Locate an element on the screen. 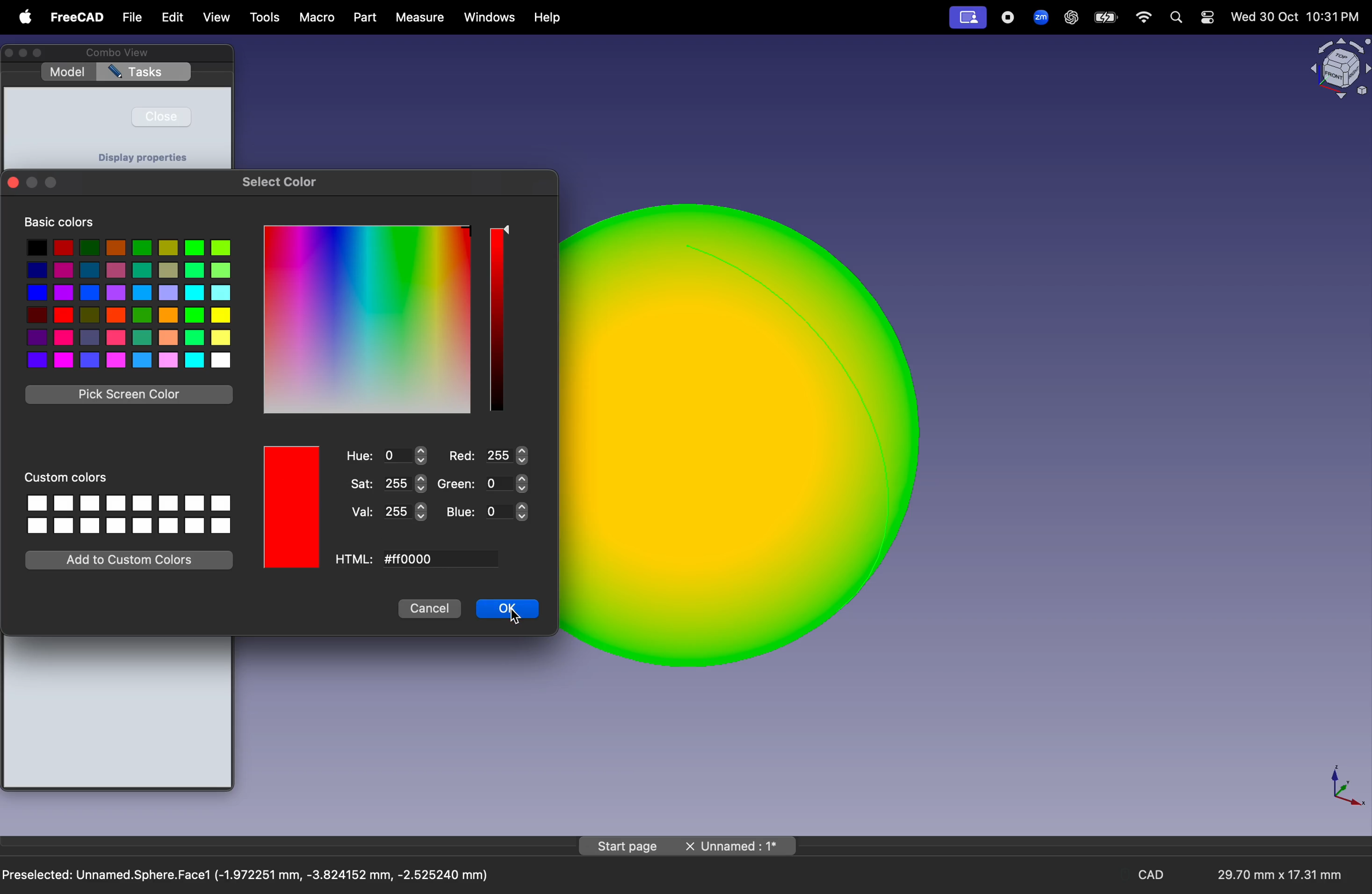 This screenshot has height=894, width=1372. profile  is located at coordinates (967, 18).